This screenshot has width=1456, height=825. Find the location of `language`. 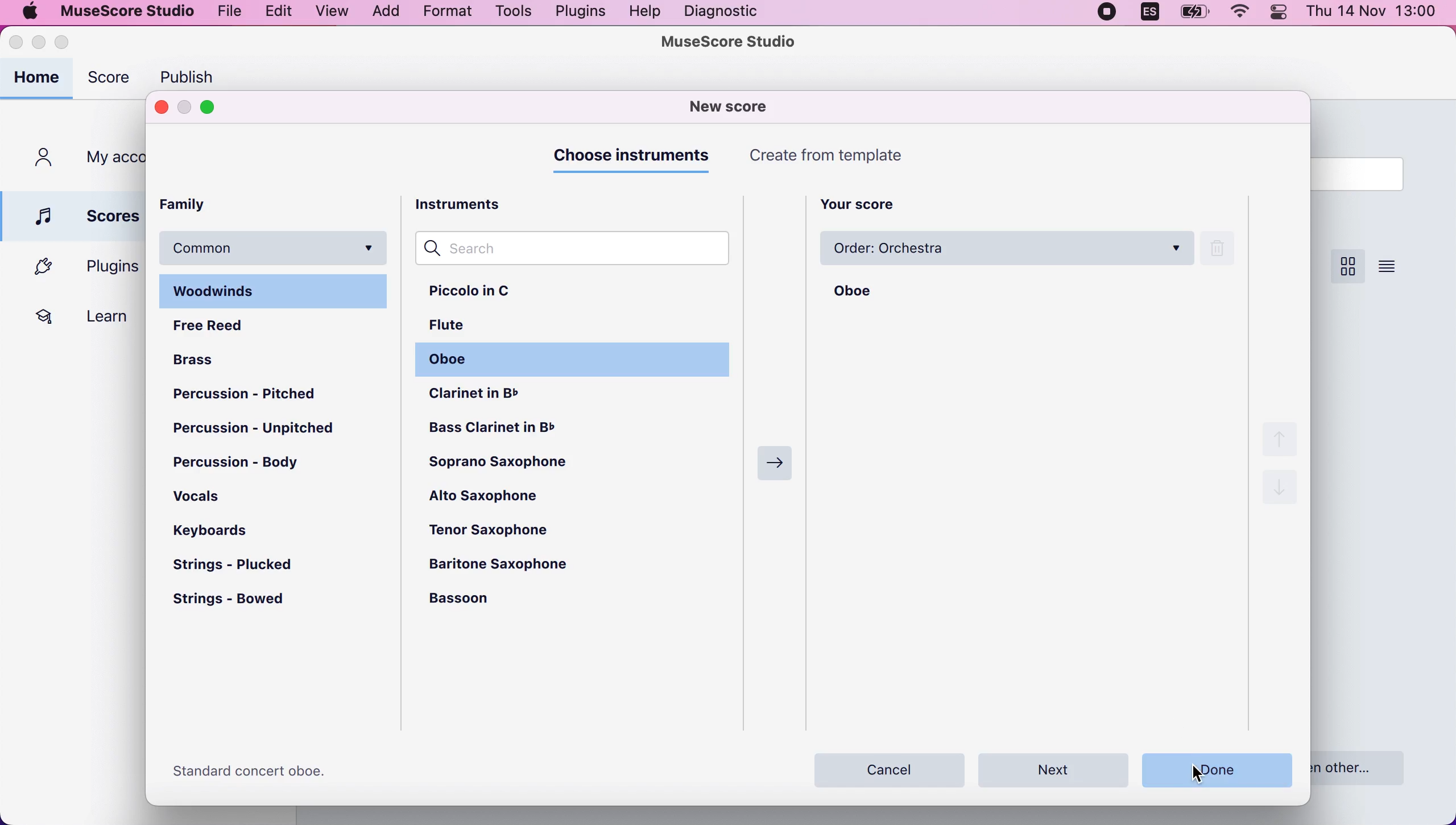

language is located at coordinates (1147, 15).